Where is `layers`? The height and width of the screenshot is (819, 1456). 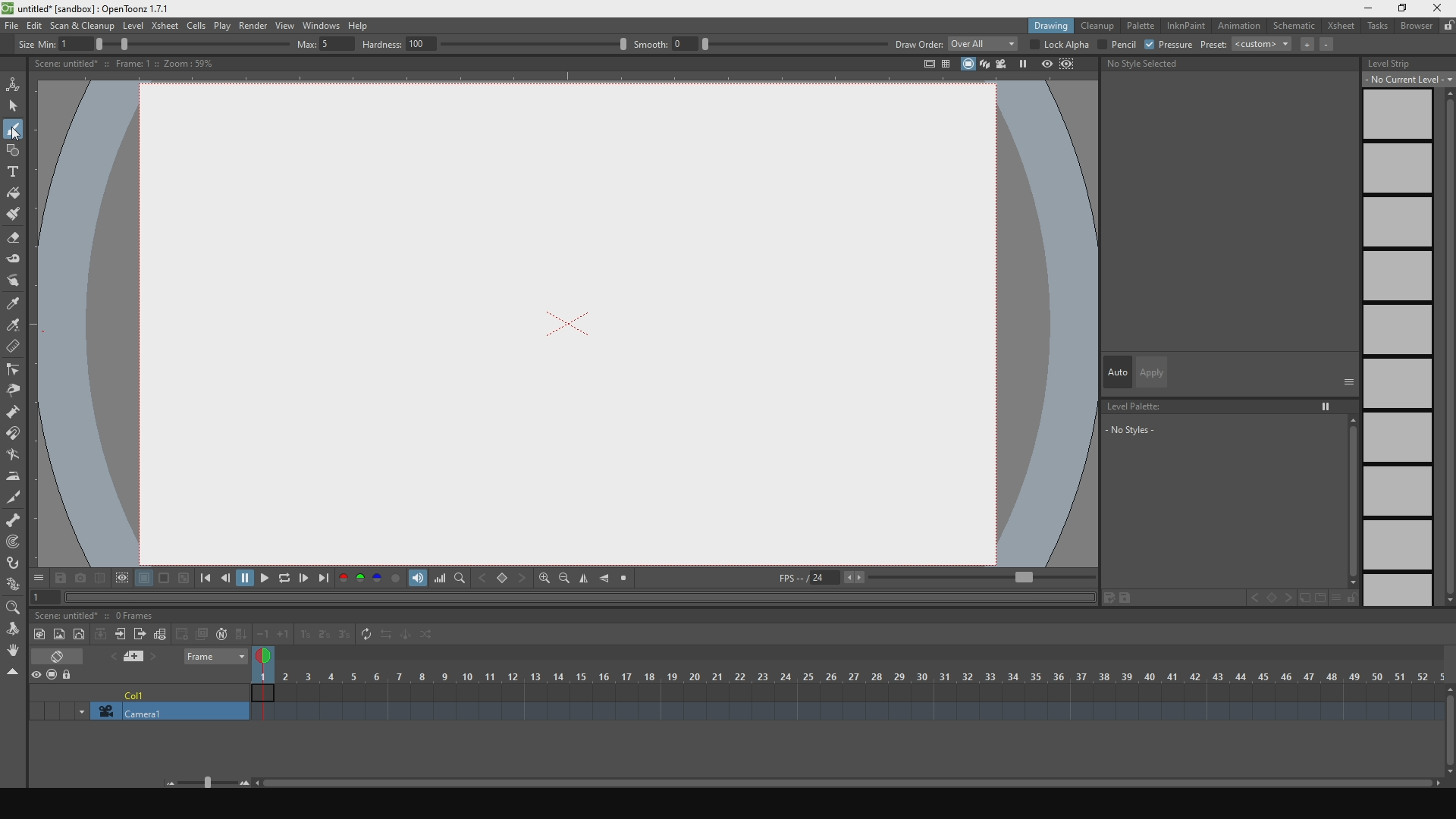
layers is located at coordinates (983, 65).